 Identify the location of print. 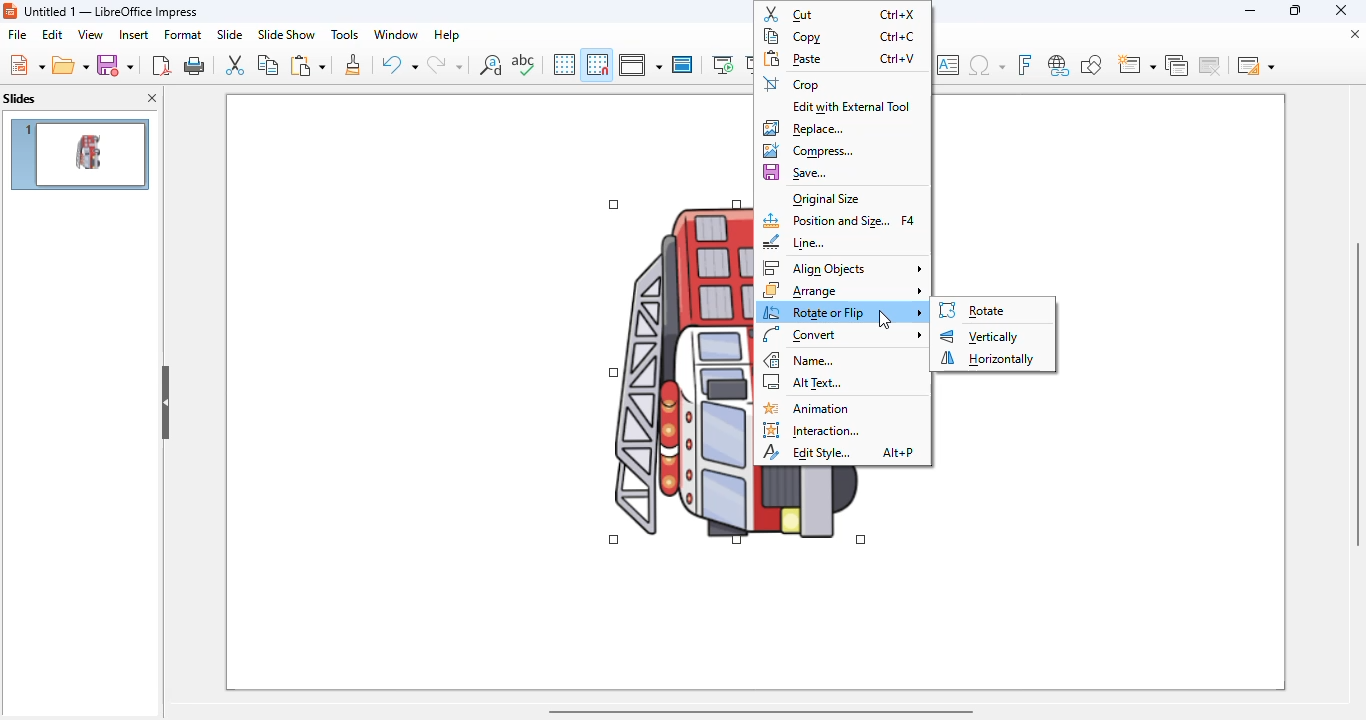
(196, 66).